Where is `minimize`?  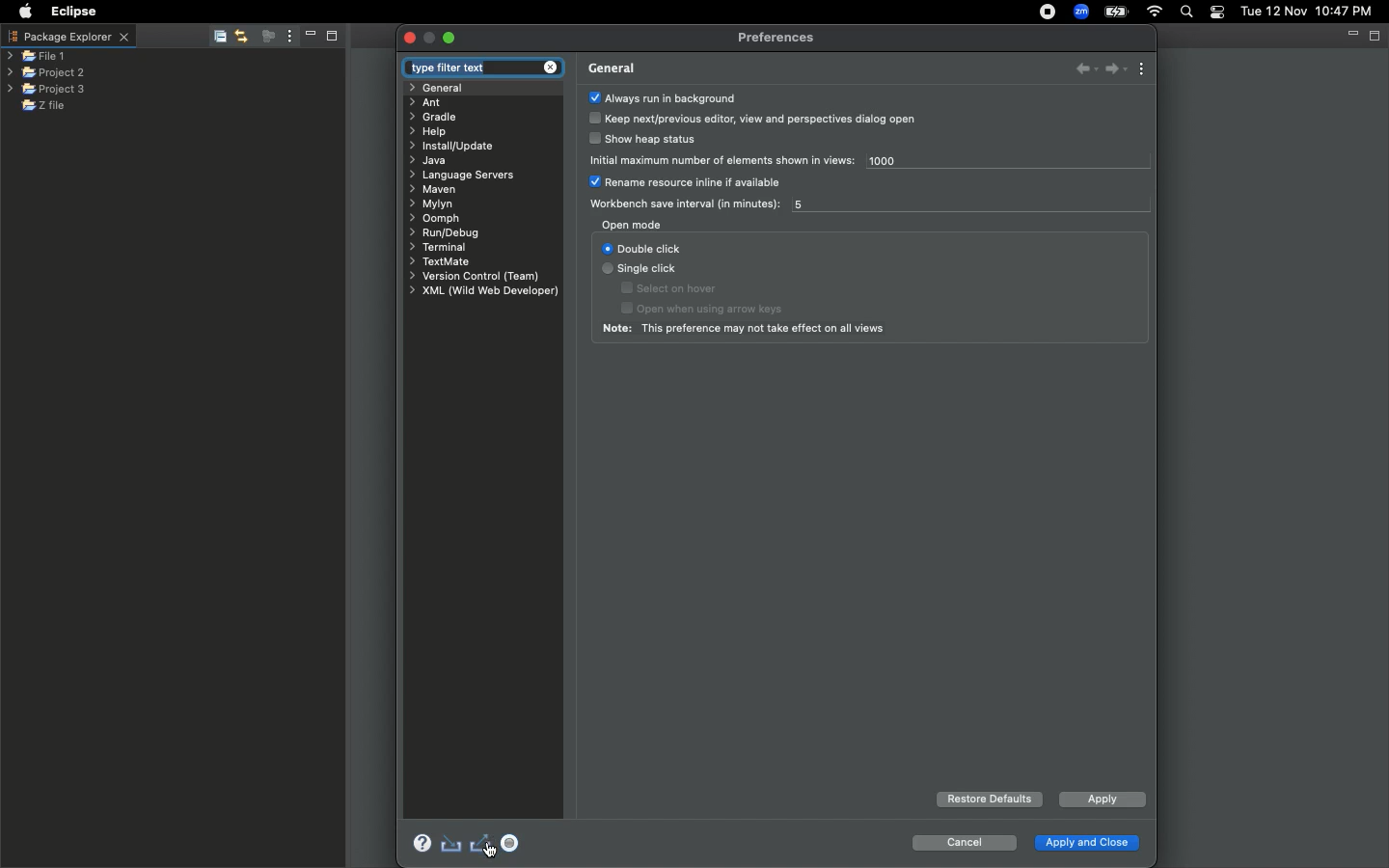
minimize is located at coordinates (430, 39).